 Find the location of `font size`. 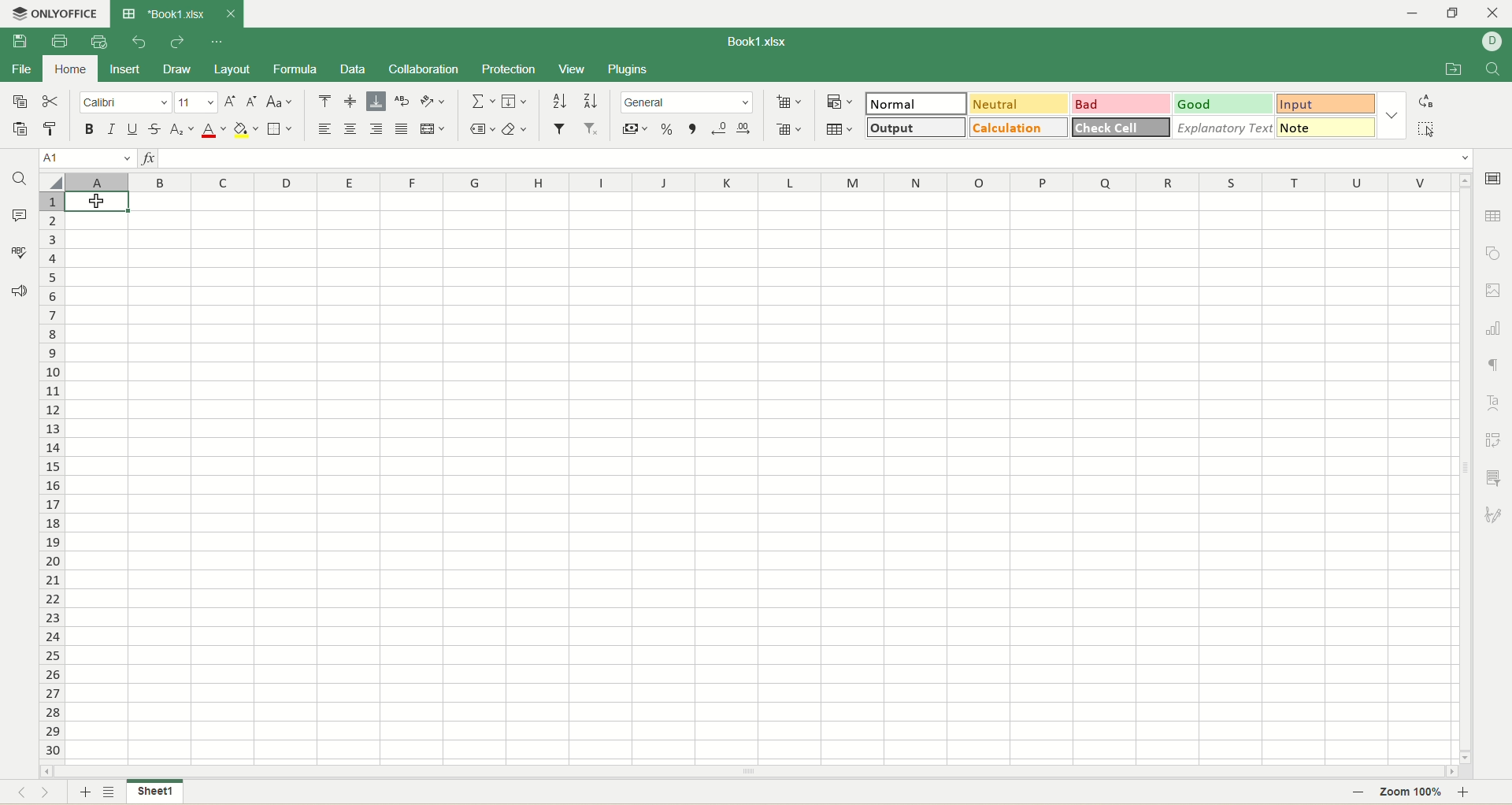

font size is located at coordinates (196, 102).